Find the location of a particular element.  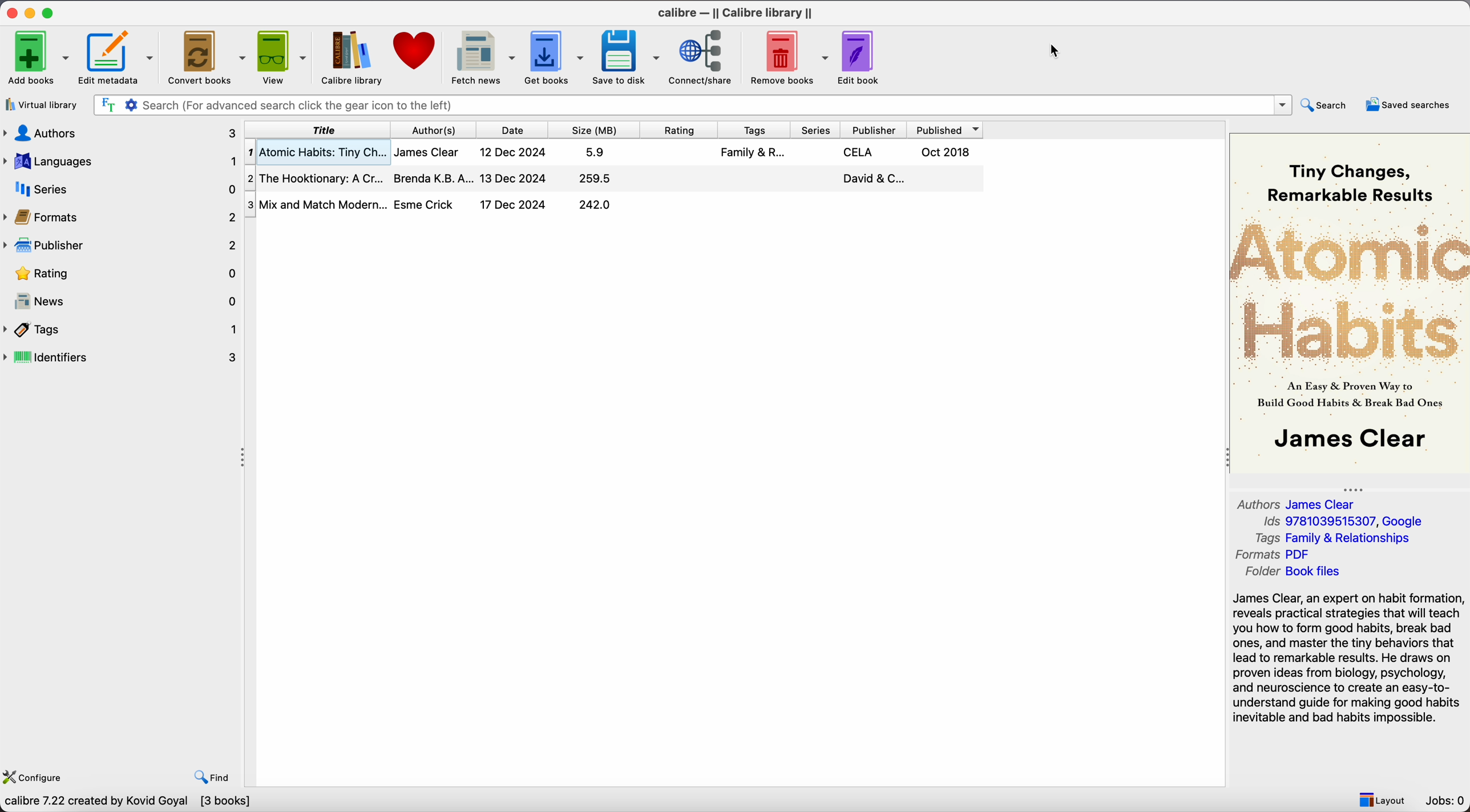

layout is located at coordinates (1381, 798).